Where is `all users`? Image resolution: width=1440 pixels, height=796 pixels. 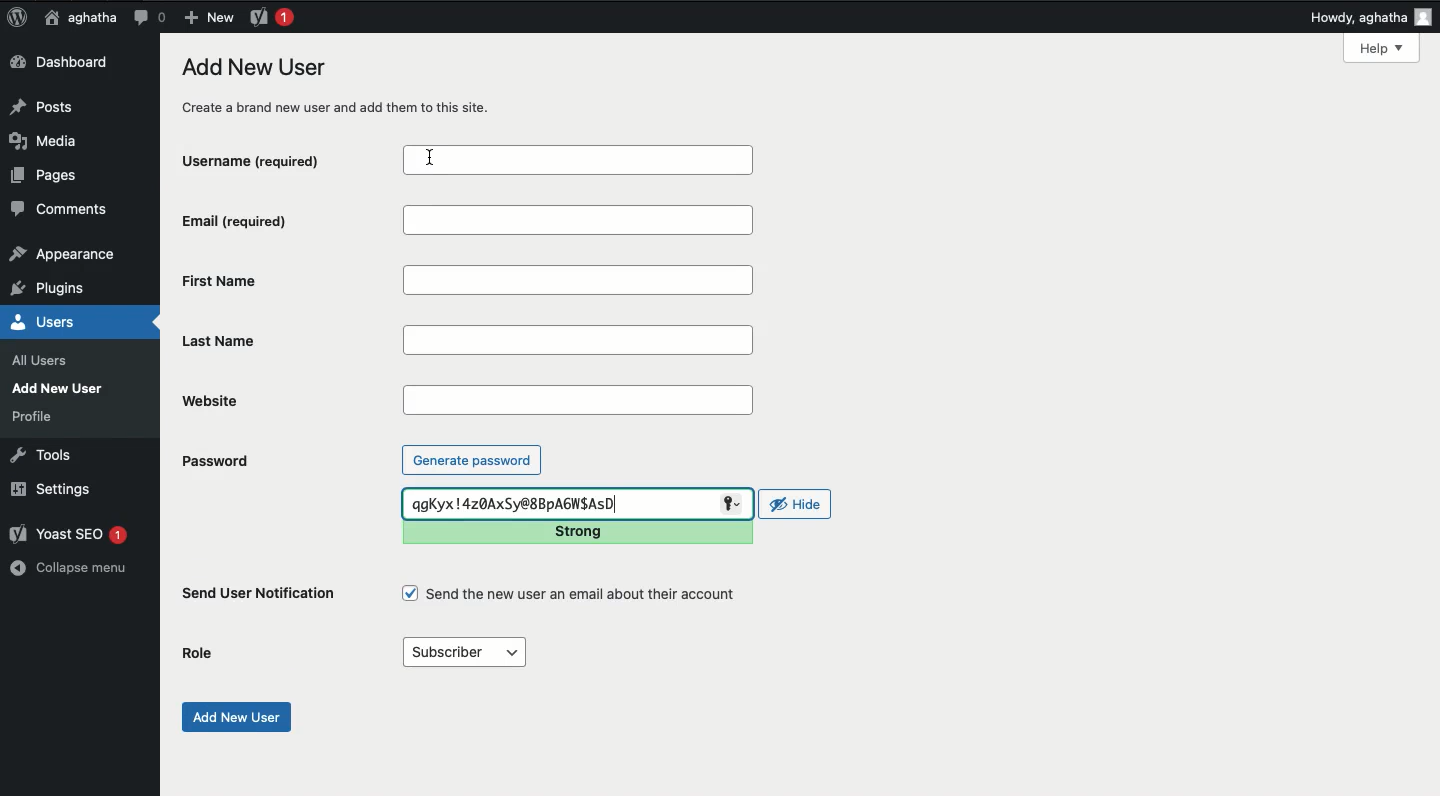 all users is located at coordinates (45, 361).